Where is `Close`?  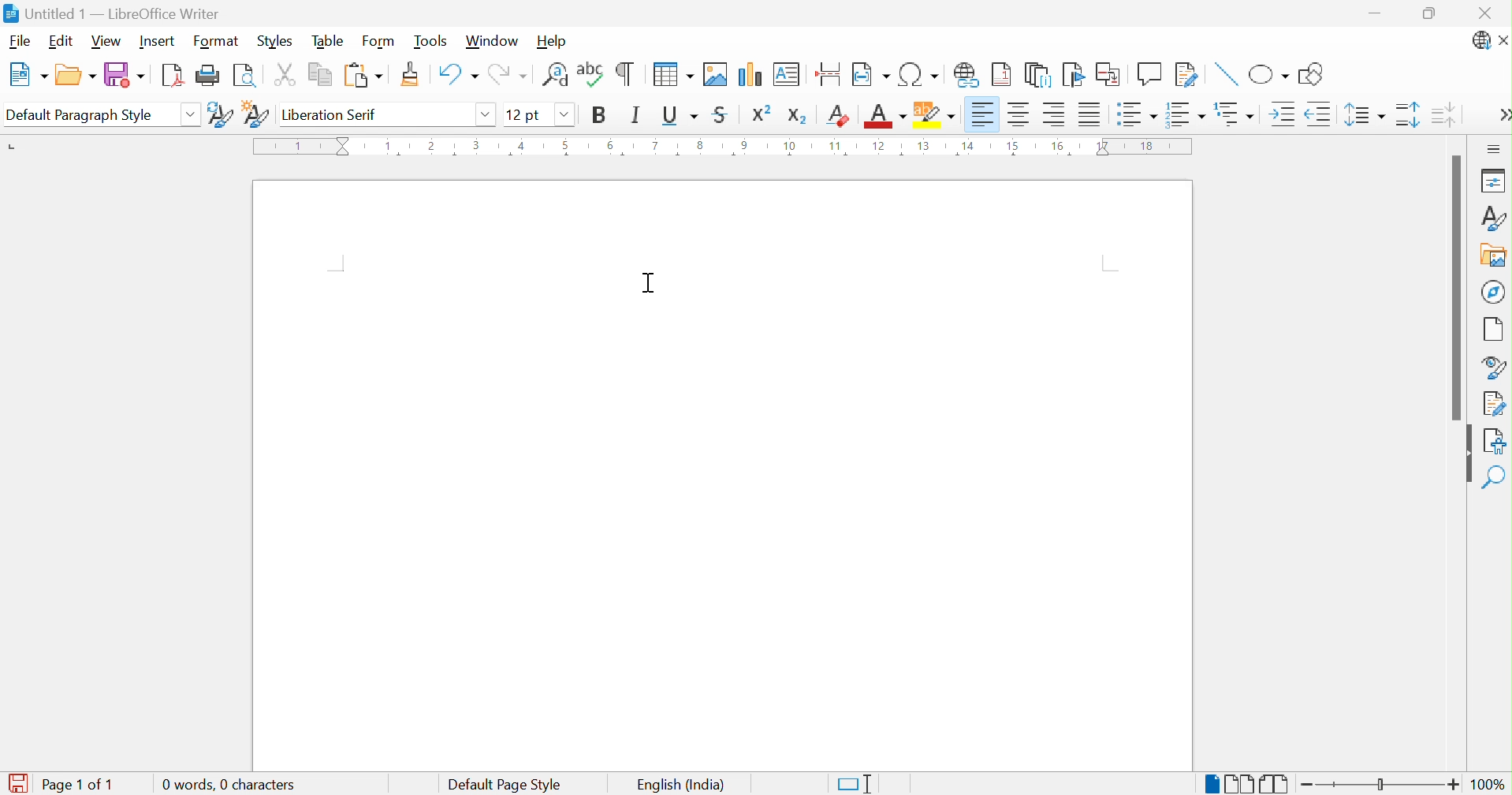 Close is located at coordinates (1484, 13).